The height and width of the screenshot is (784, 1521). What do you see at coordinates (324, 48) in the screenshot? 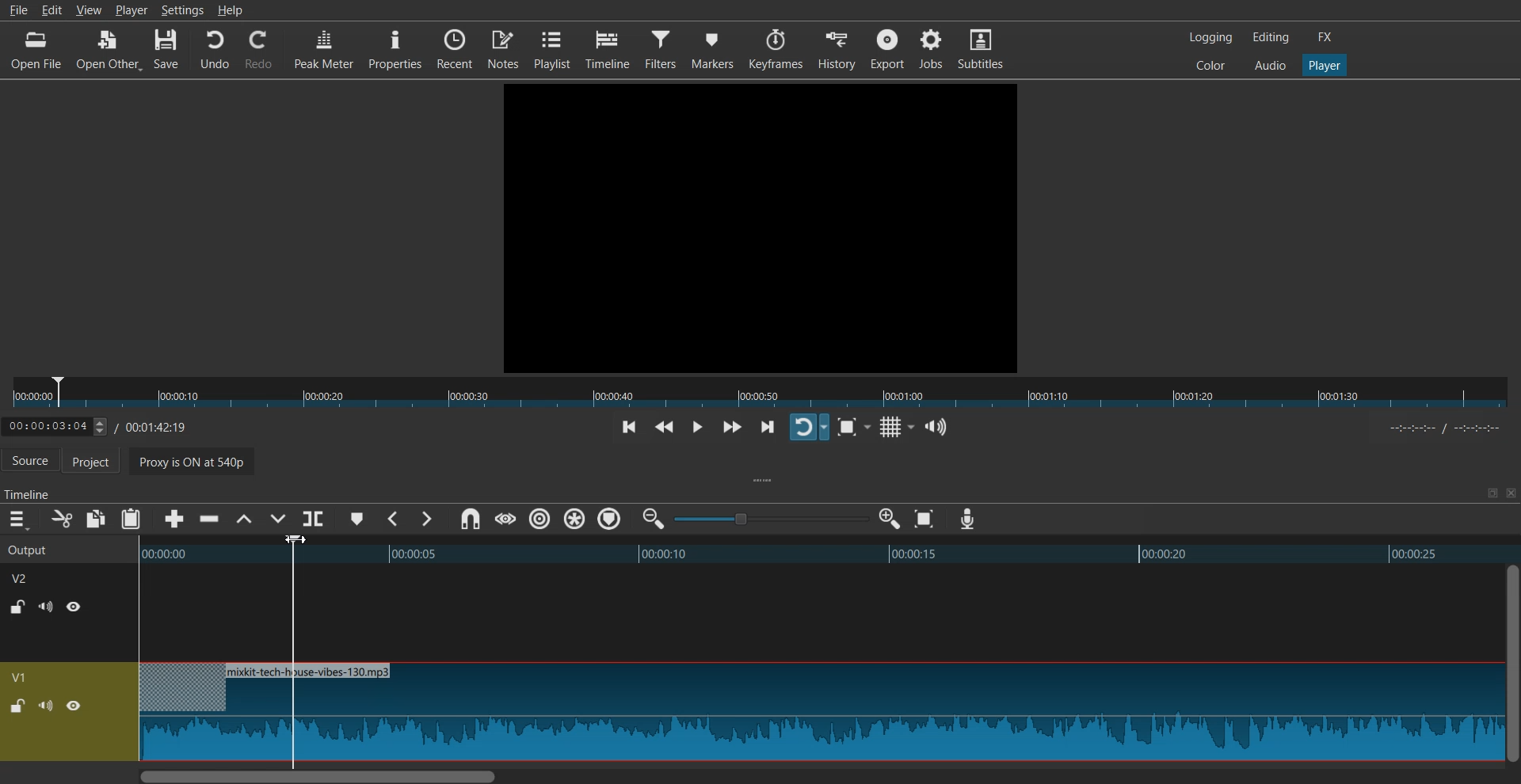
I see `Peak Meter` at bounding box center [324, 48].